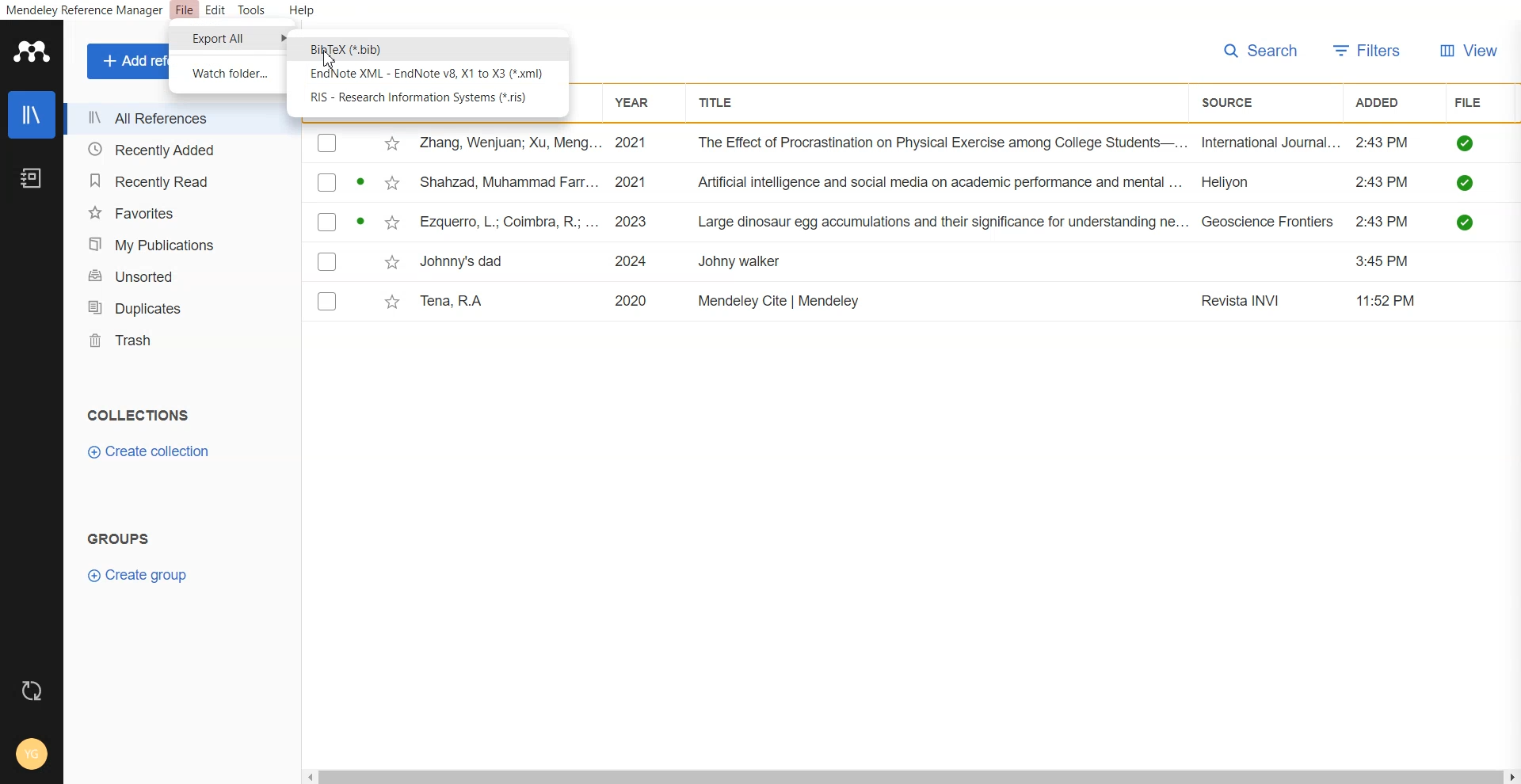  Describe the element at coordinates (31, 179) in the screenshot. I see `Notebook` at that location.